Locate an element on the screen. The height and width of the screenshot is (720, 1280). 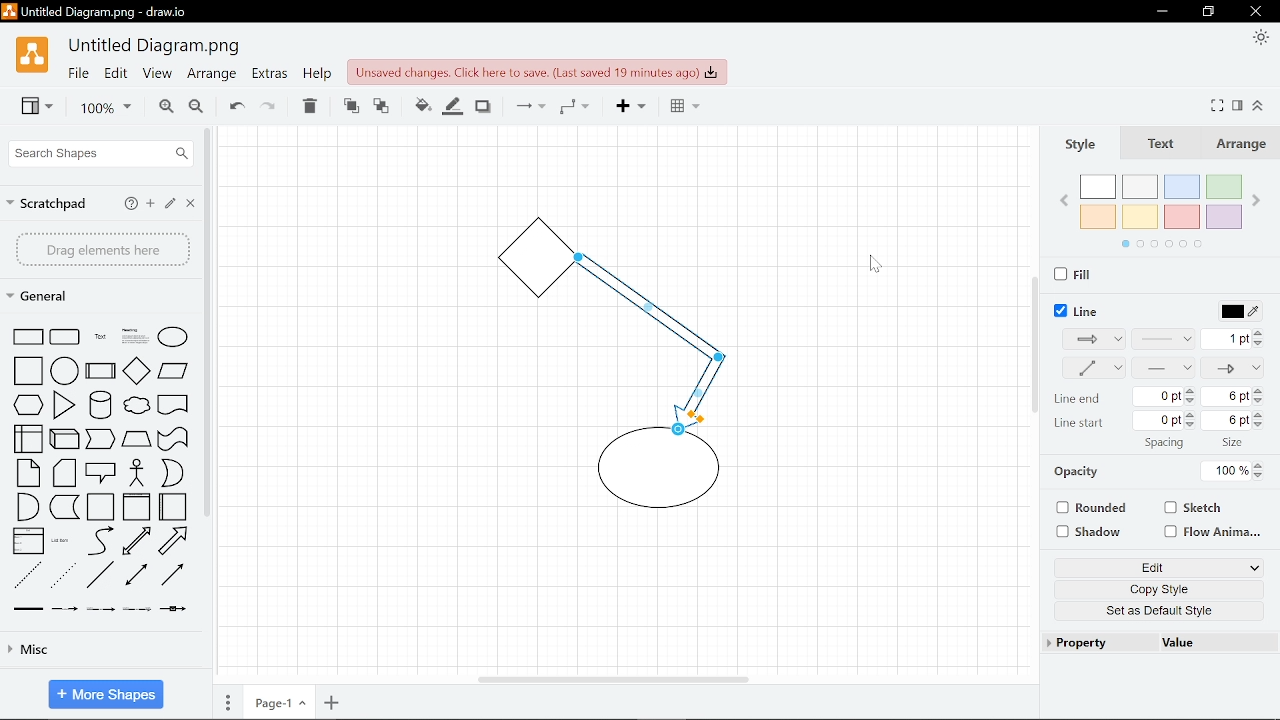
shape is located at coordinates (103, 472).